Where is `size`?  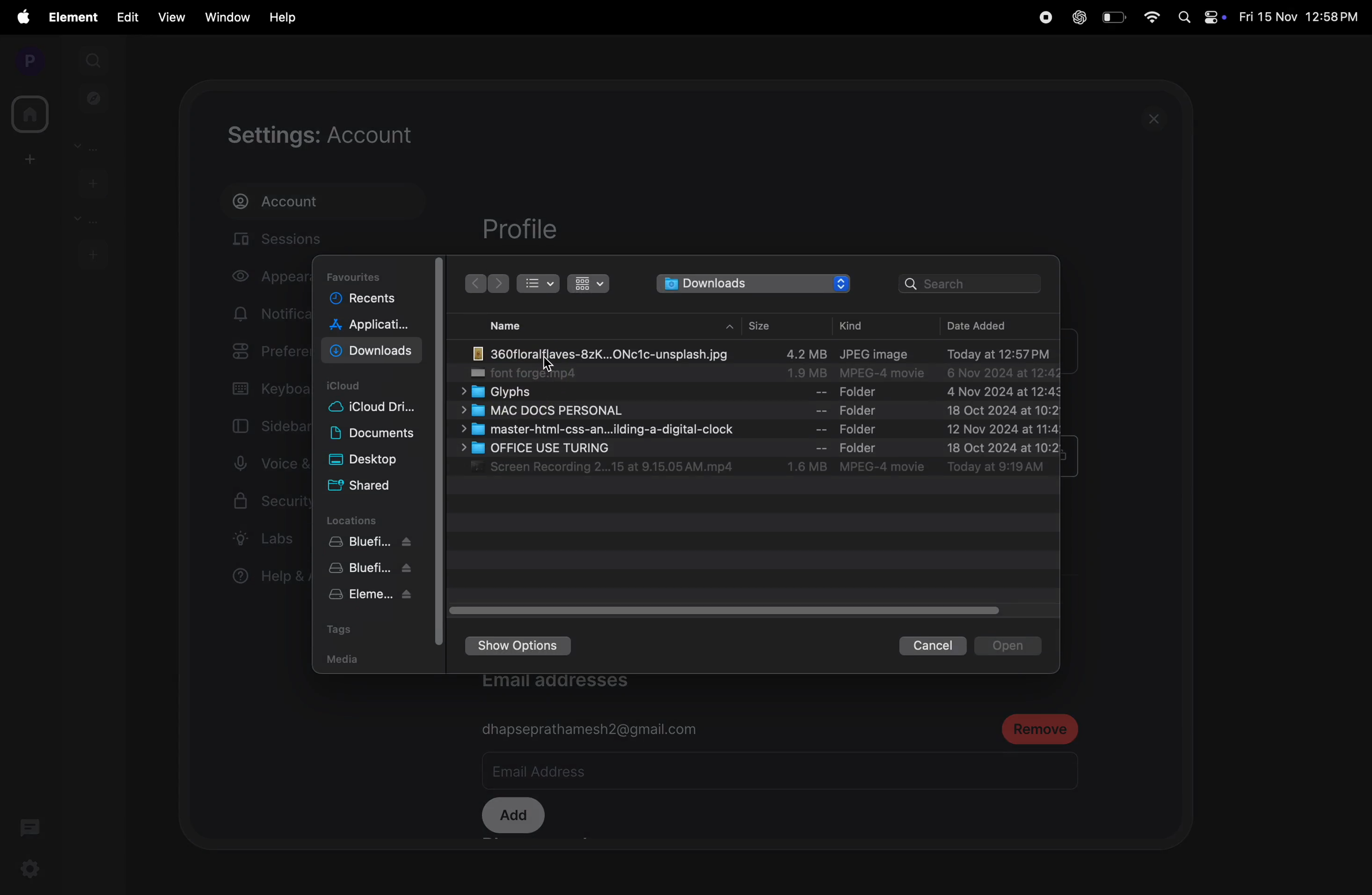 size is located at coordinates (768, 324).